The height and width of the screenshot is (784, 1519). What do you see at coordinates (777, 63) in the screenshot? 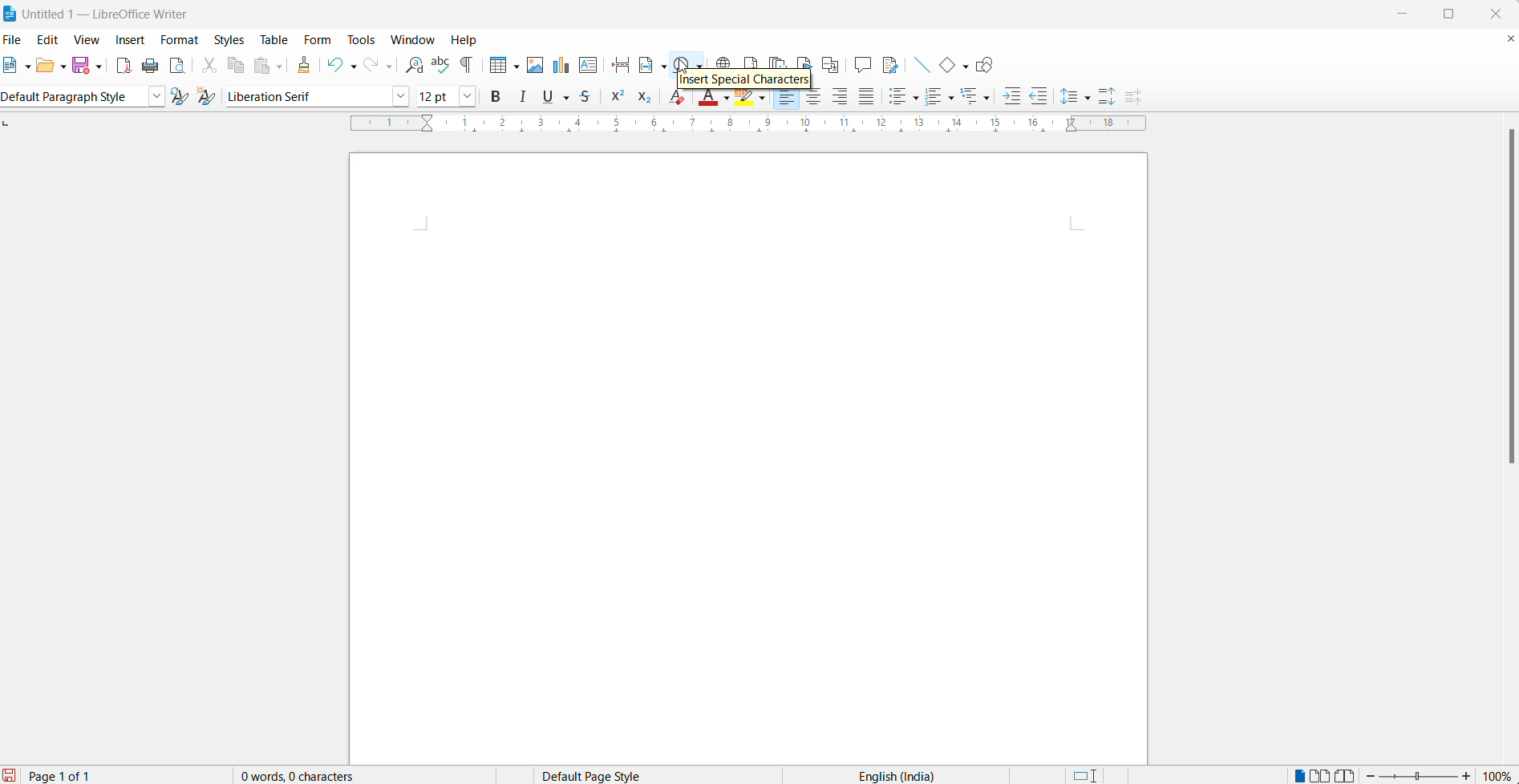
I see `insert endnote` at bounding box center [777, 63].